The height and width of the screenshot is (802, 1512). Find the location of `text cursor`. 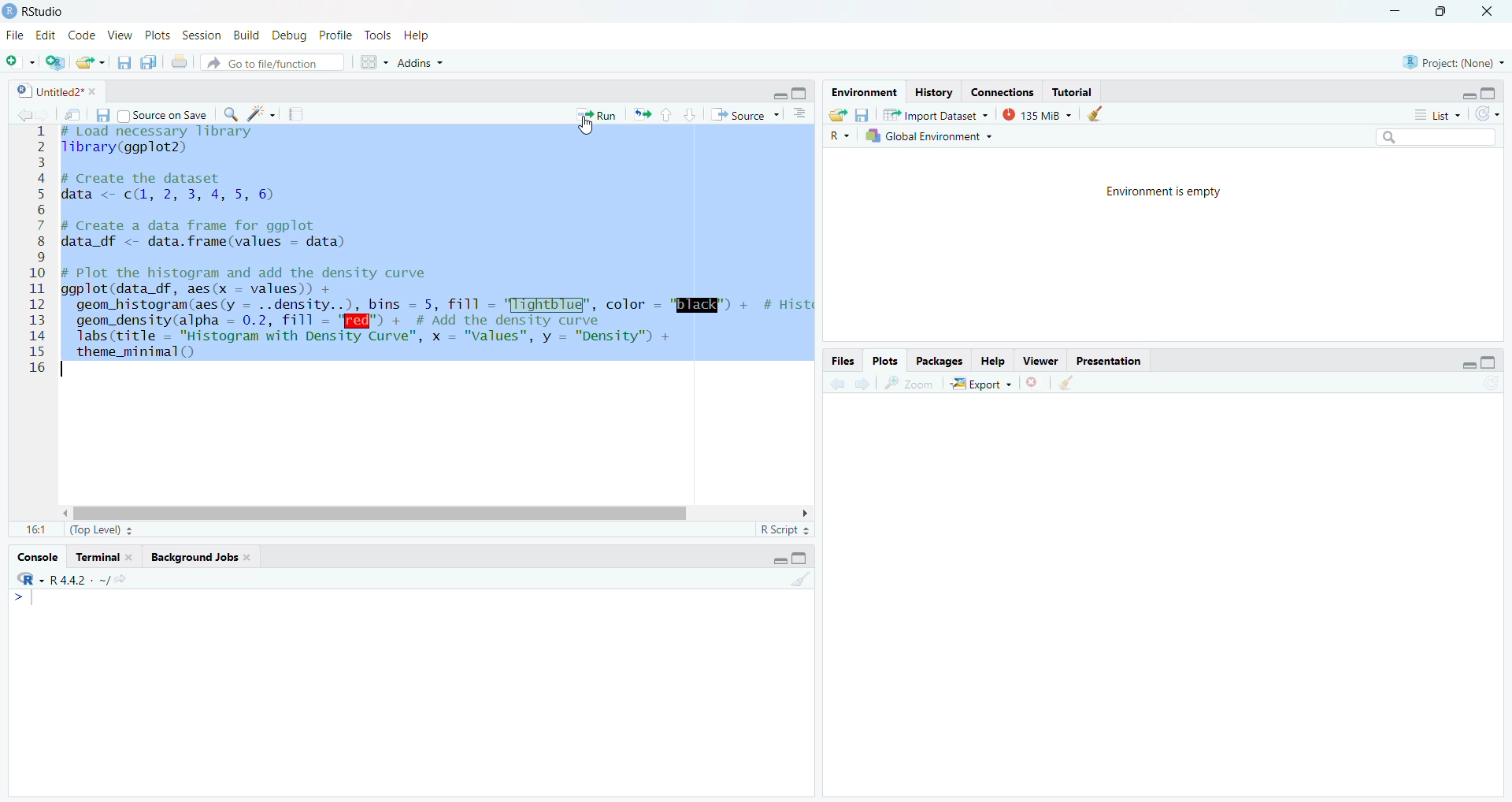

text cursor is located at coordinates (63, 367).